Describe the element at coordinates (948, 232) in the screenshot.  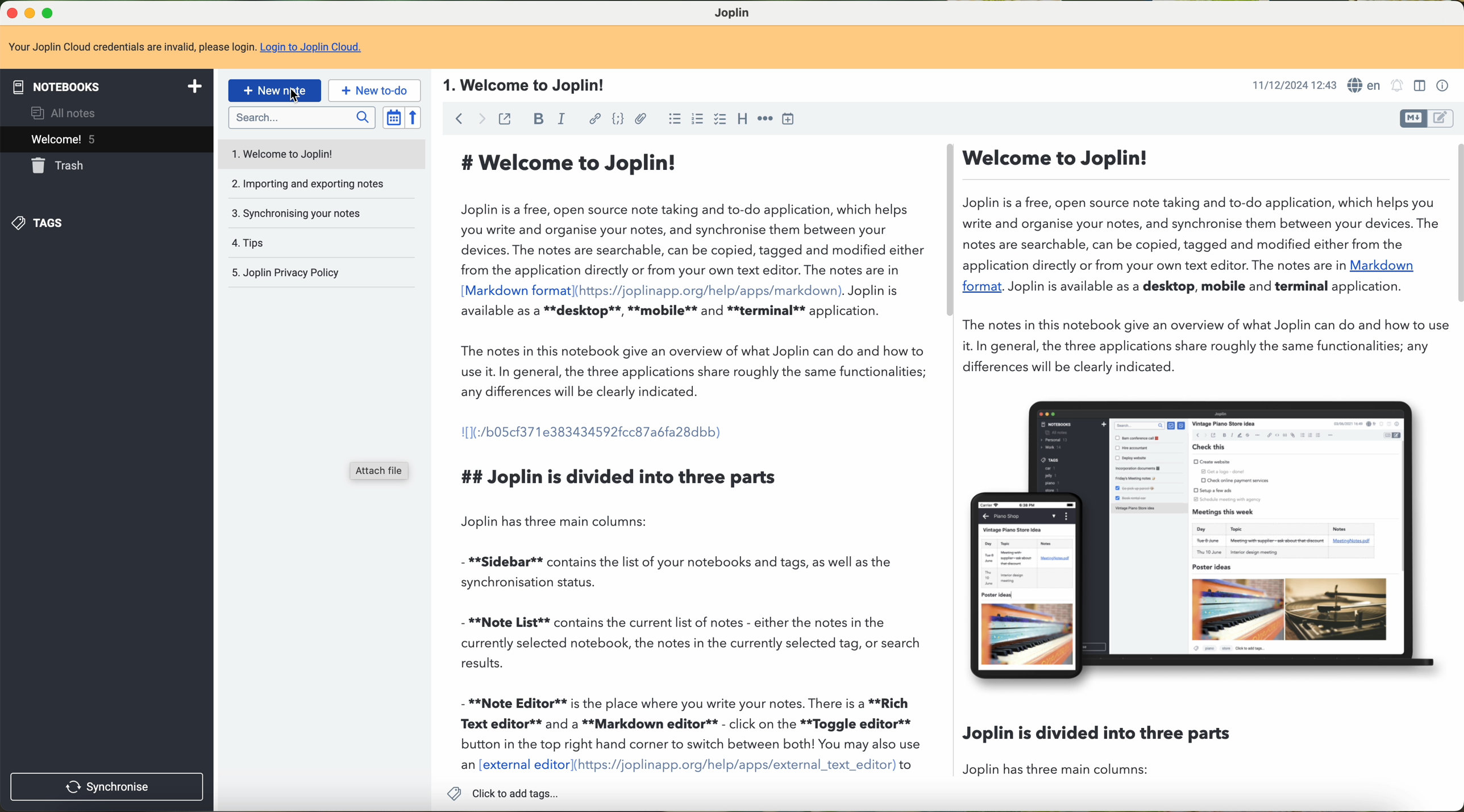
I see `scroll bar` at that location.